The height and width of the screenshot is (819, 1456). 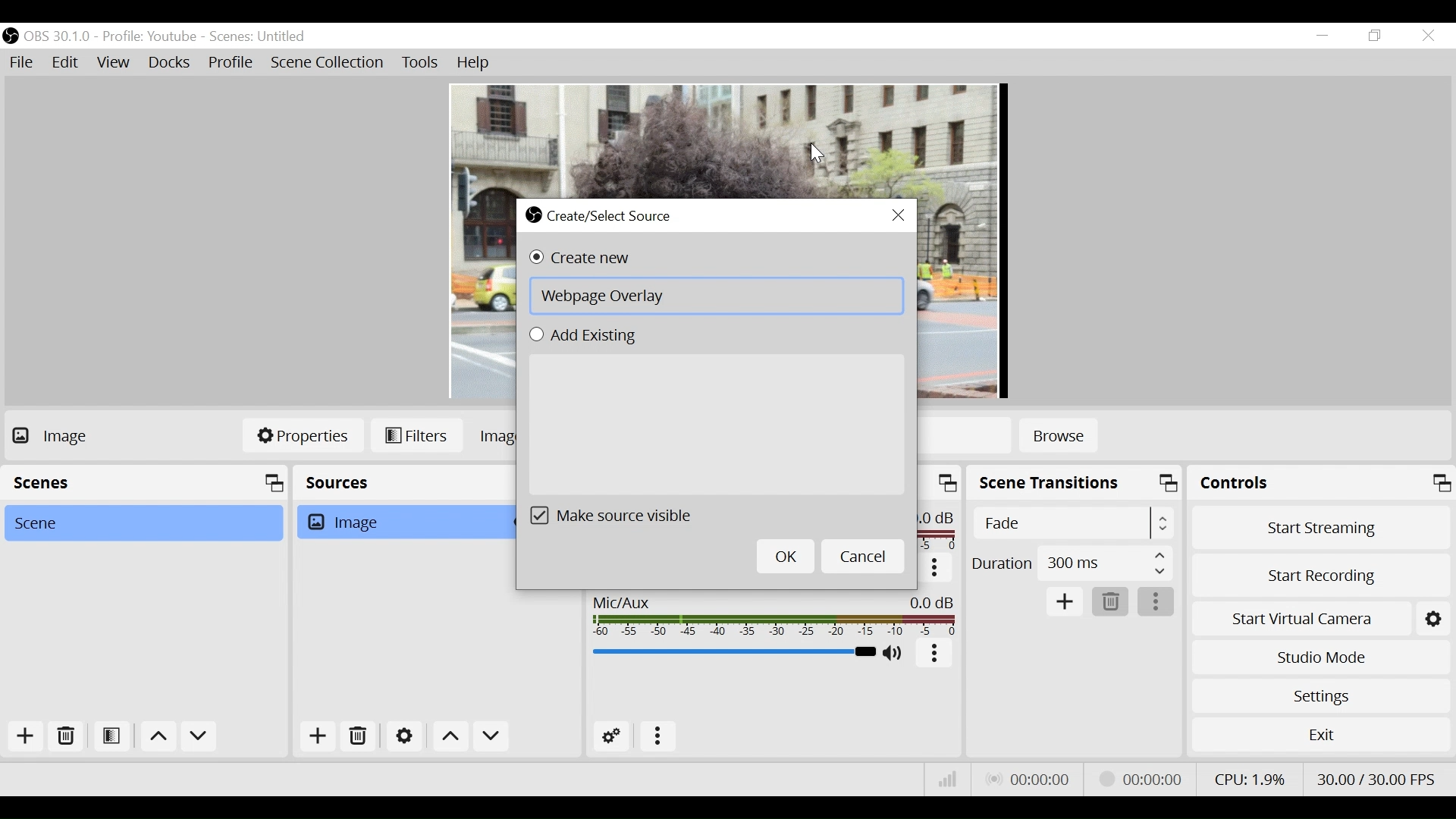 What do you see at coordinates (934, 569) in the screenshot?
I see `More options` at bounding box center [934, 569].